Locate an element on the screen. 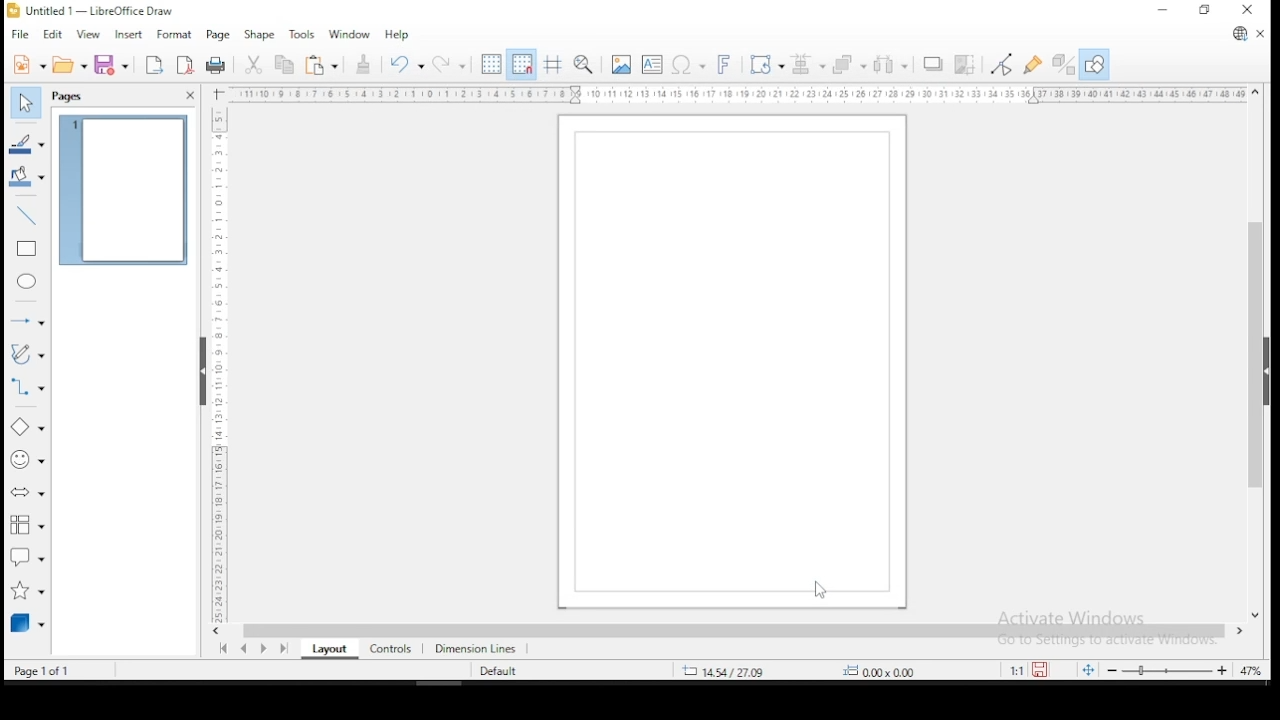 The width and height of the screenshot is (1280, 720). insert special characters is located at coordinates (688, 66).